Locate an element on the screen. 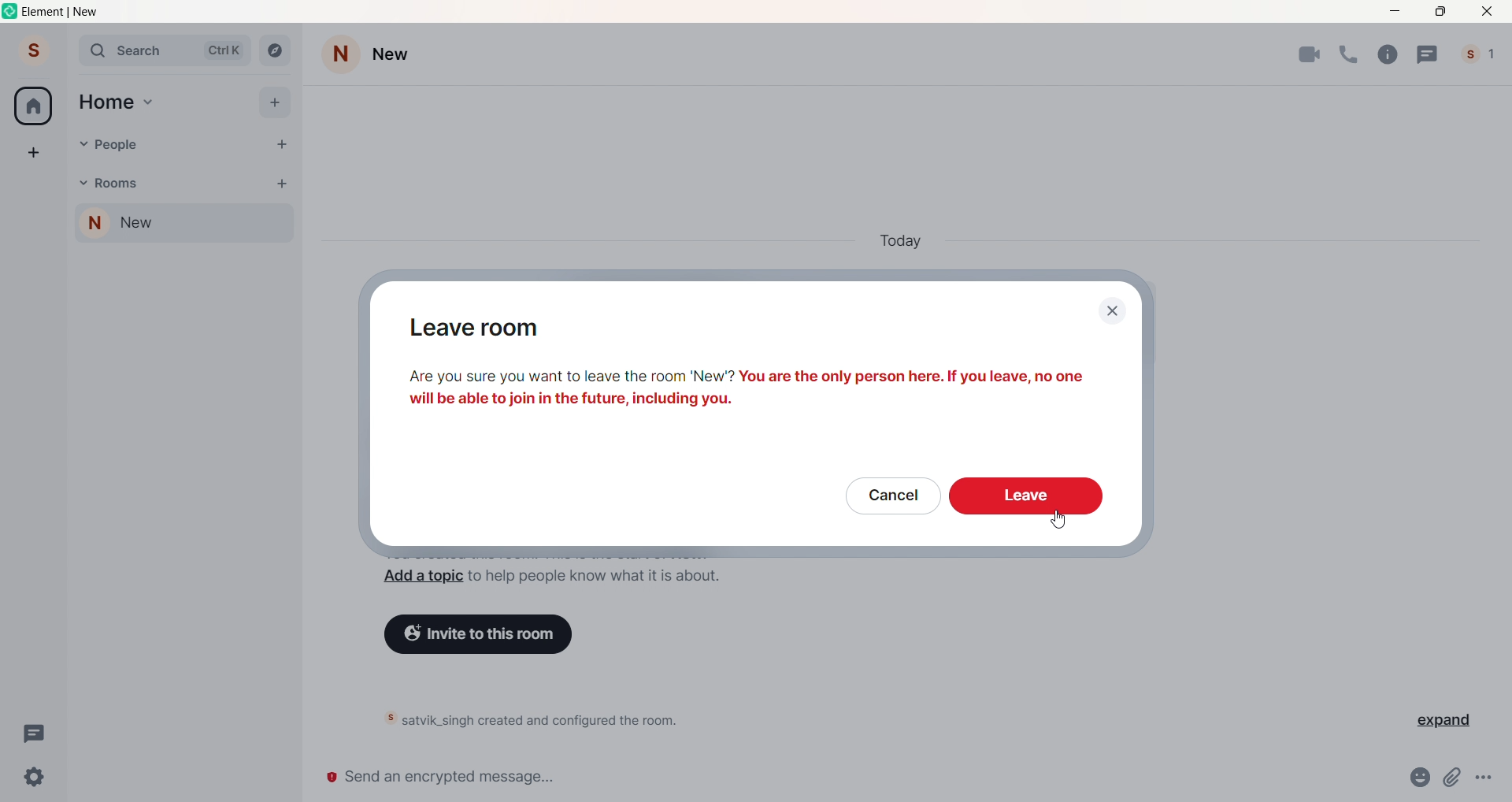 The height and width of the screenshot is (802, 1512). Home is located at coordinates (107, 100).